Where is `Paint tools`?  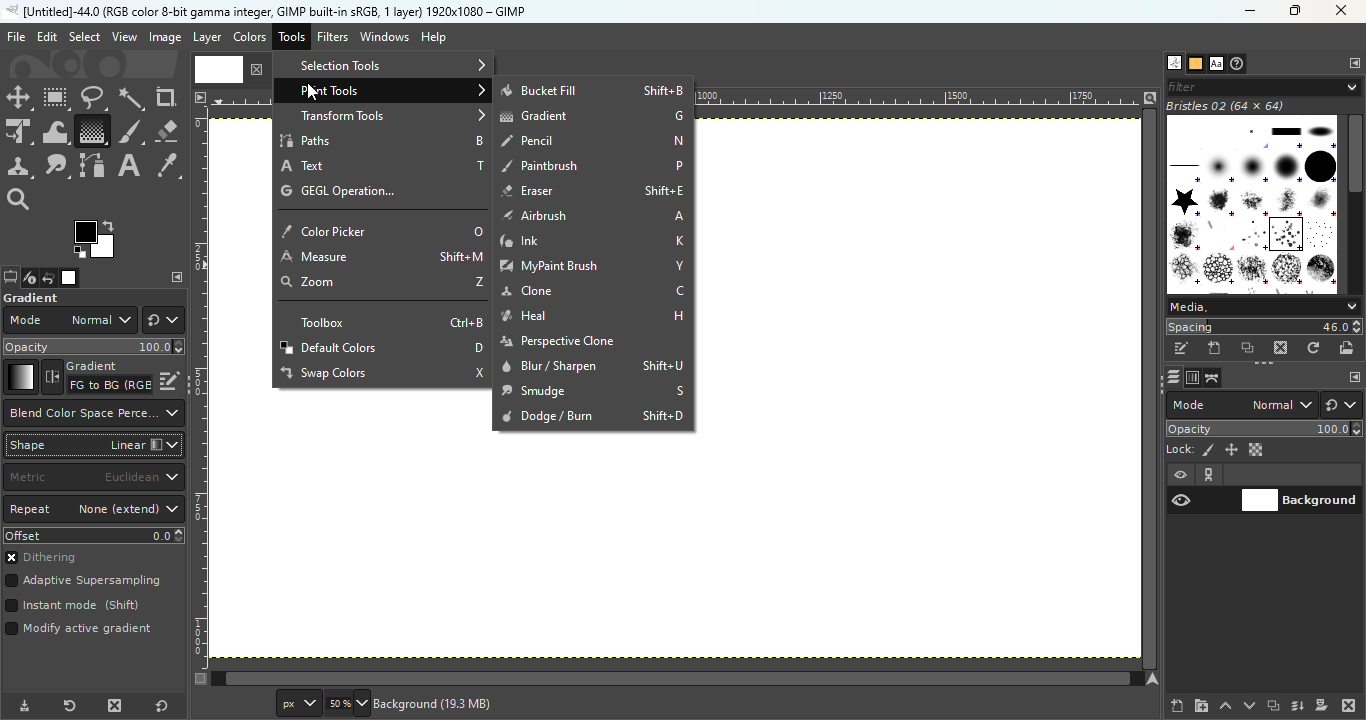 Paint tools is located at coordinates (384, 90).